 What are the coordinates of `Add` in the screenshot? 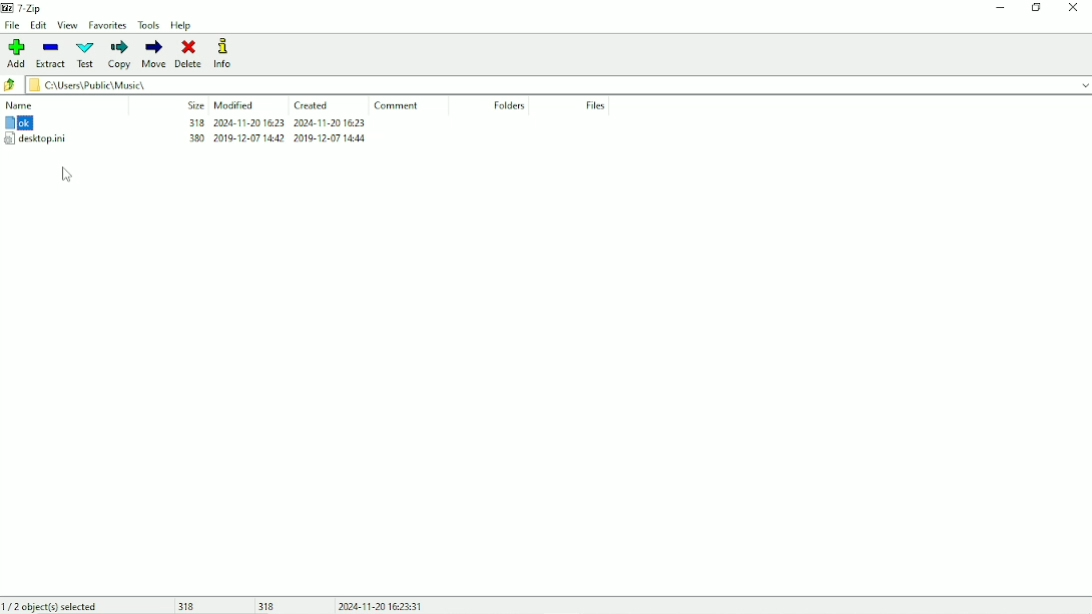 It's located at (15, 54).